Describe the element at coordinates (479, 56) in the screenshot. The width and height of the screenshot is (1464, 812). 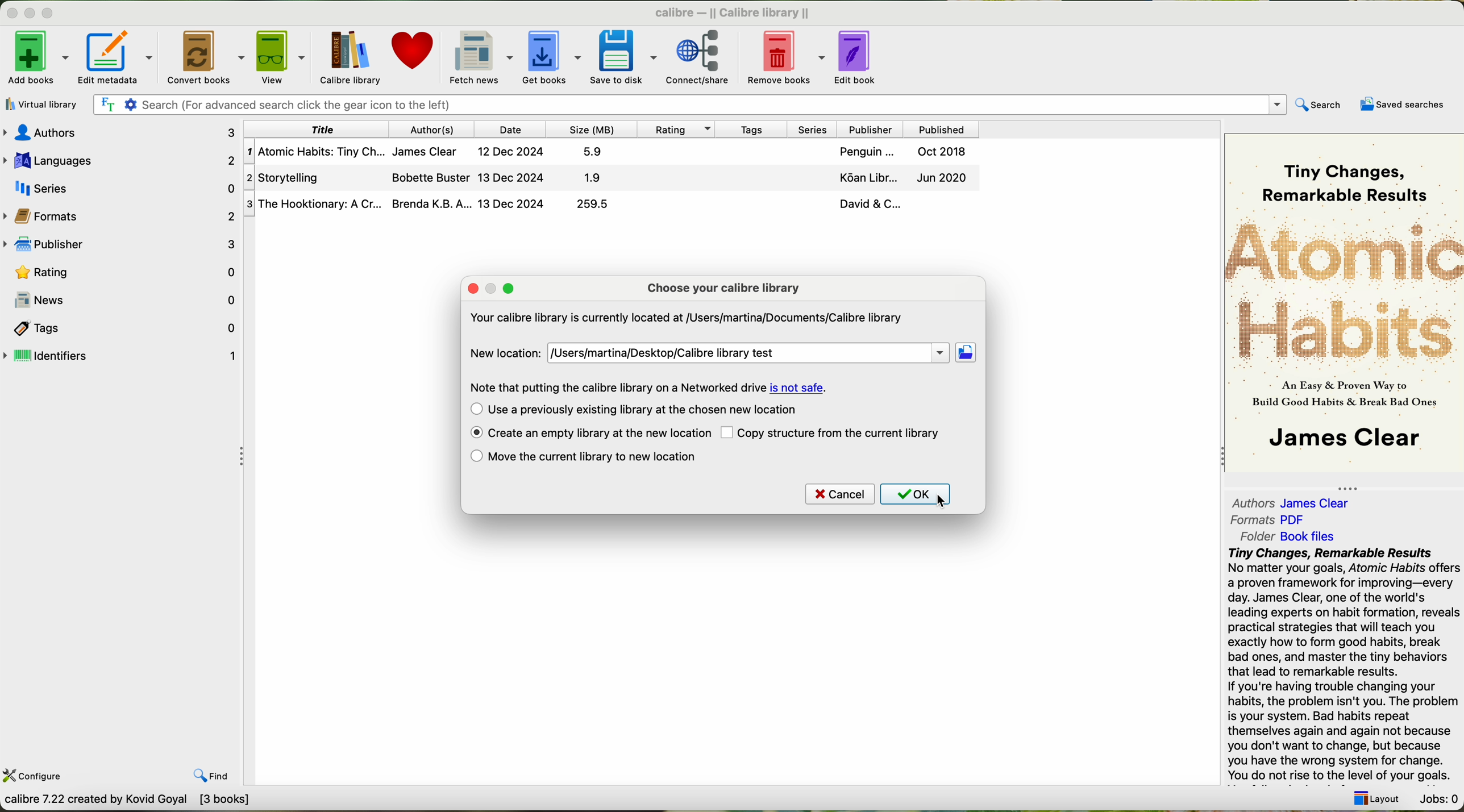
I see `fetch news` at that location.